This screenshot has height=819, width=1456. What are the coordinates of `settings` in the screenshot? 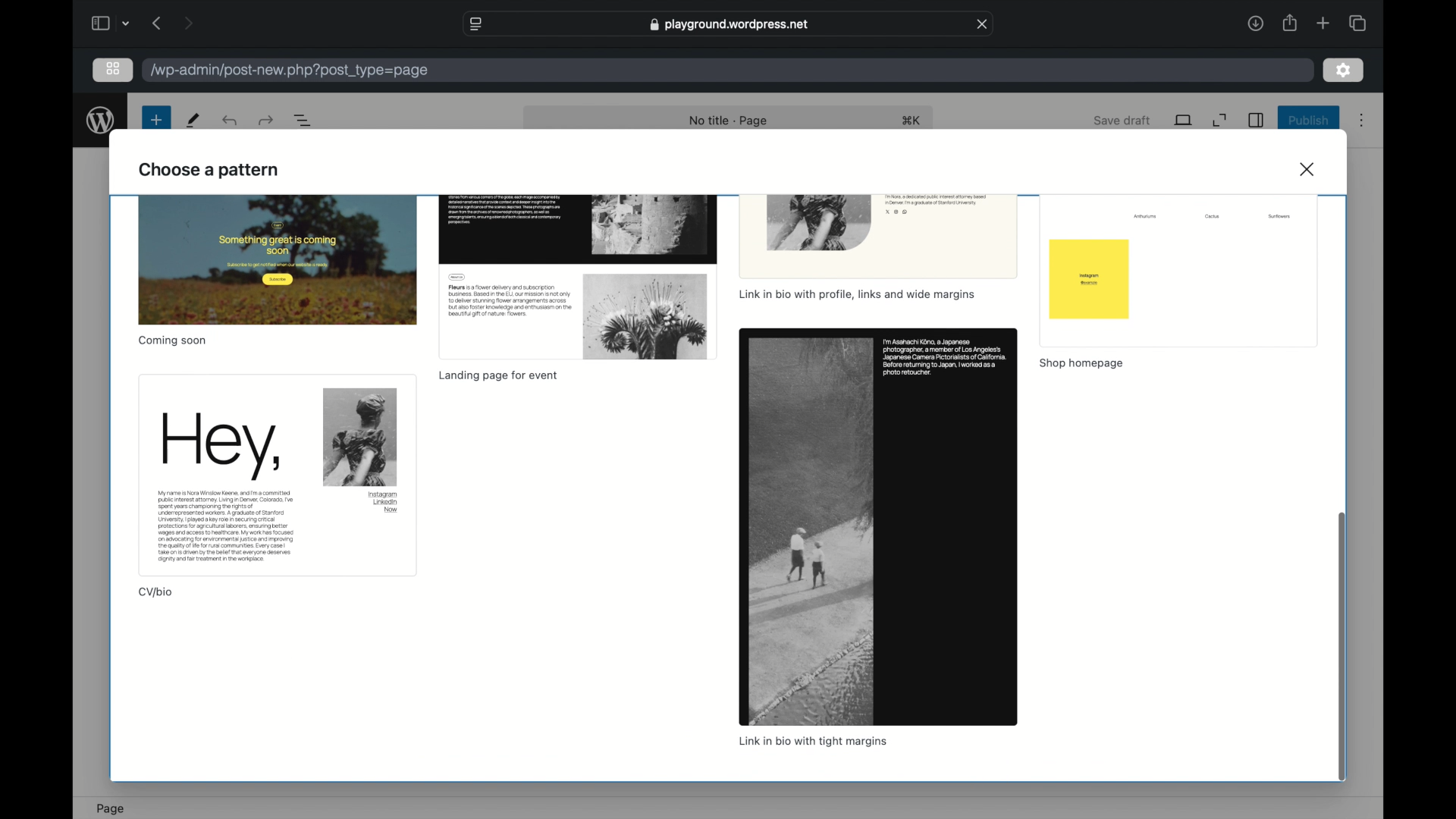 It's located at (1344, 71).